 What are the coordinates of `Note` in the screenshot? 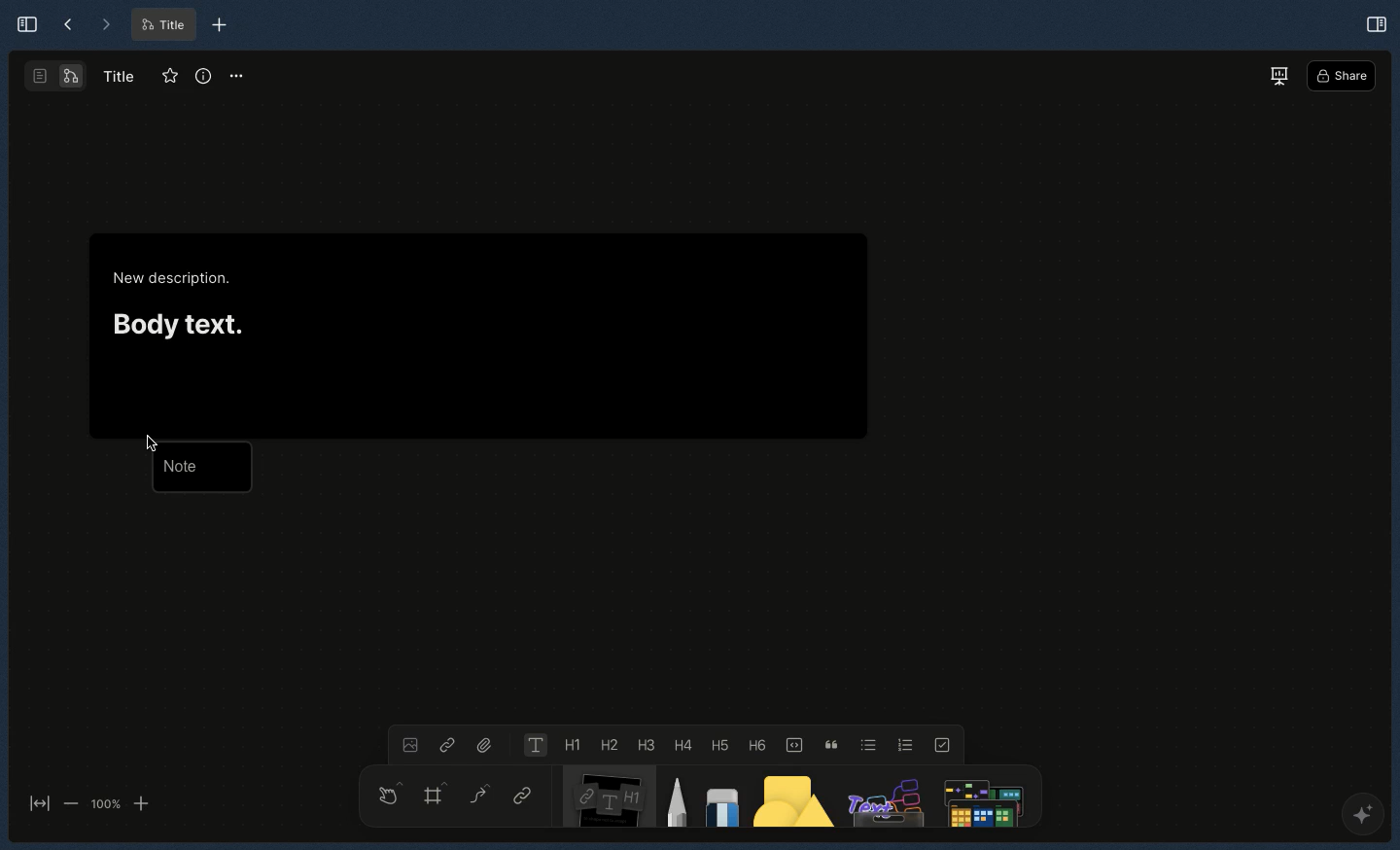 It's located at (201, 468).